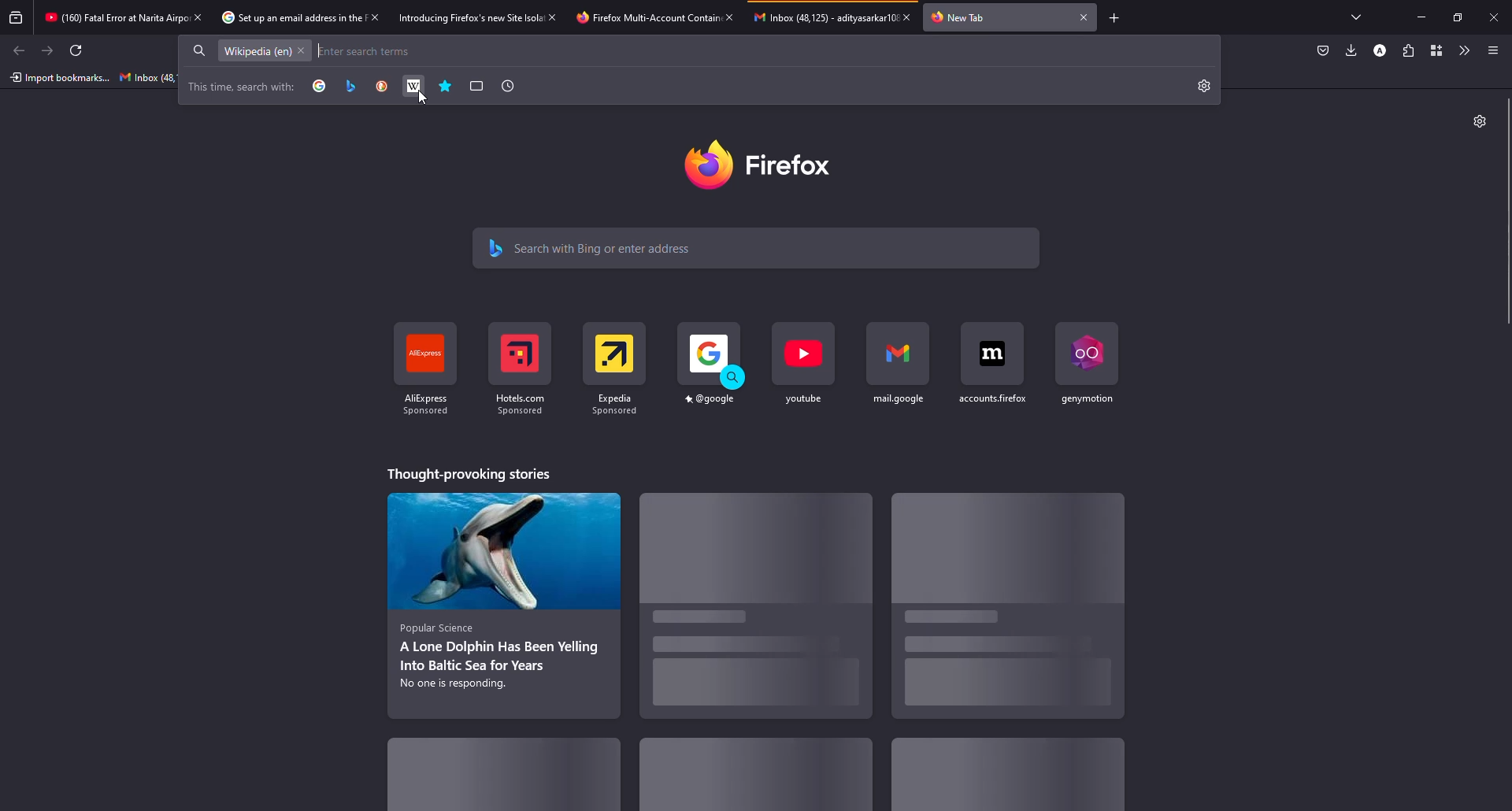  Describe the element at coordinates (49, 50) in the screenshot. I see `` at that location.